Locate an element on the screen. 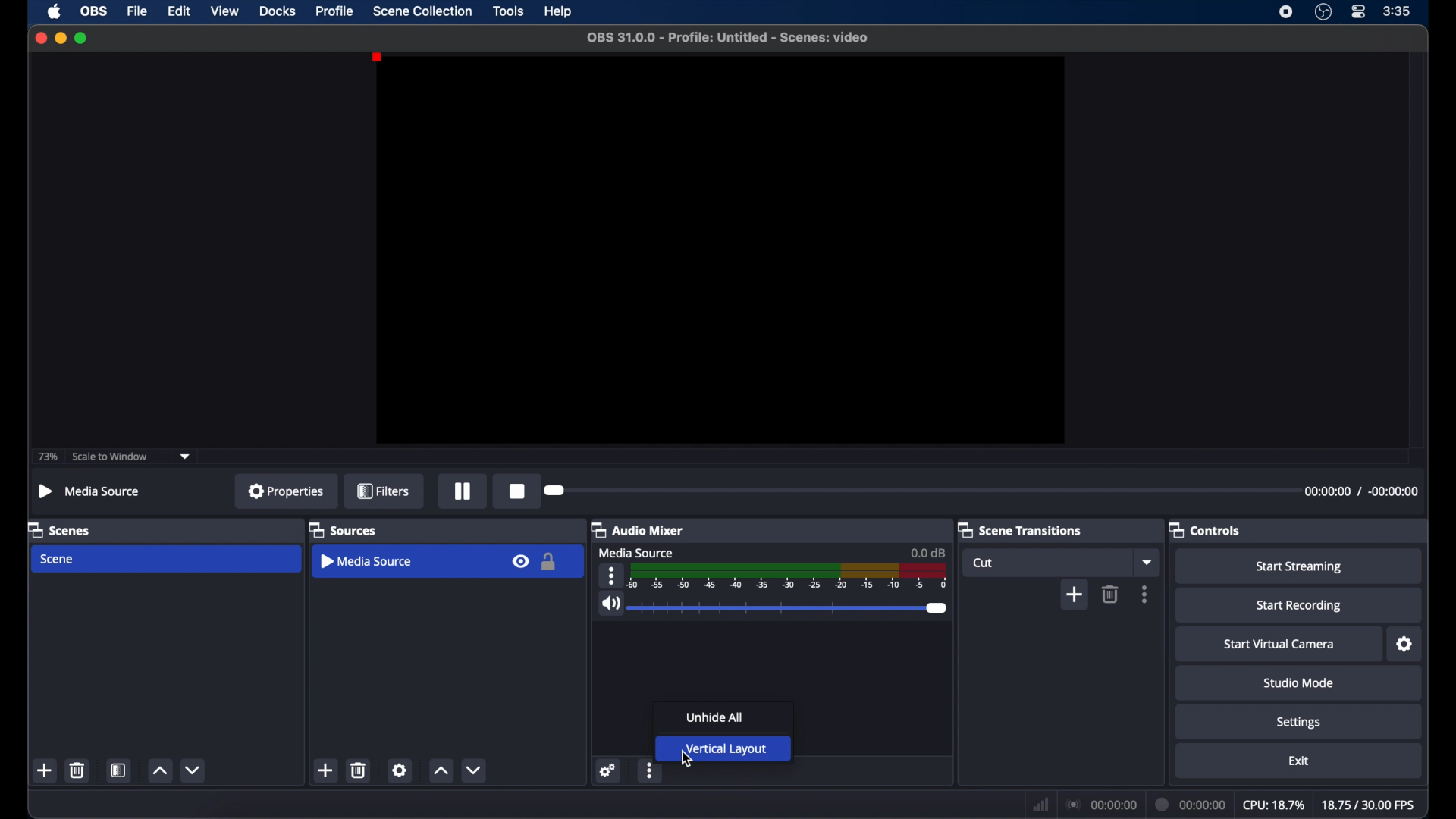 This screenshot has height=819, width=1456. add is located at coordinates (45, 770).